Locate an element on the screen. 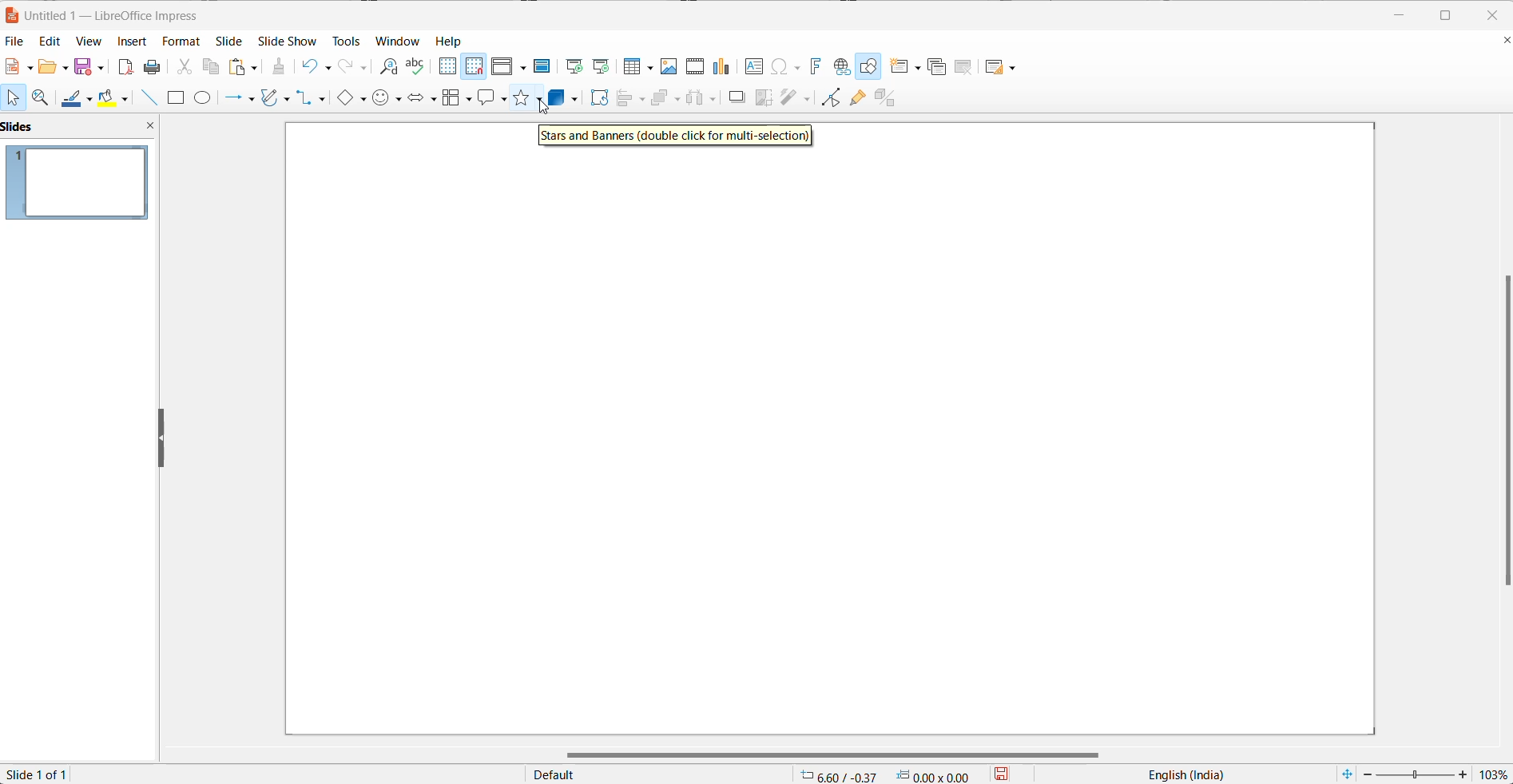 Image resolution: width=1513 pixels, height=784 pixels. insert table is located at coordinates (636, 68).